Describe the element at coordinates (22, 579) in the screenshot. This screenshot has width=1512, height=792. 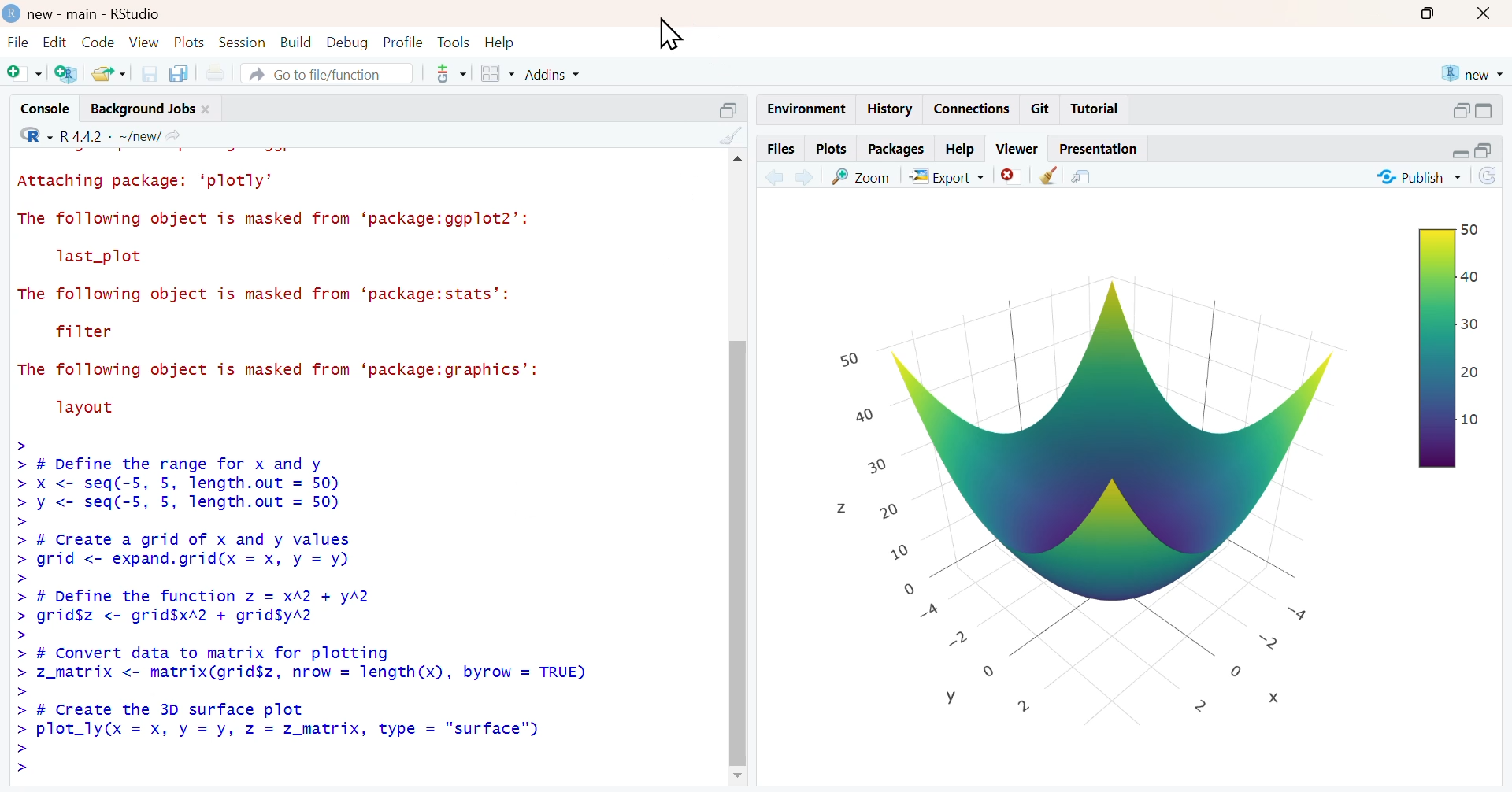
I see `prompt cursor` at that location.